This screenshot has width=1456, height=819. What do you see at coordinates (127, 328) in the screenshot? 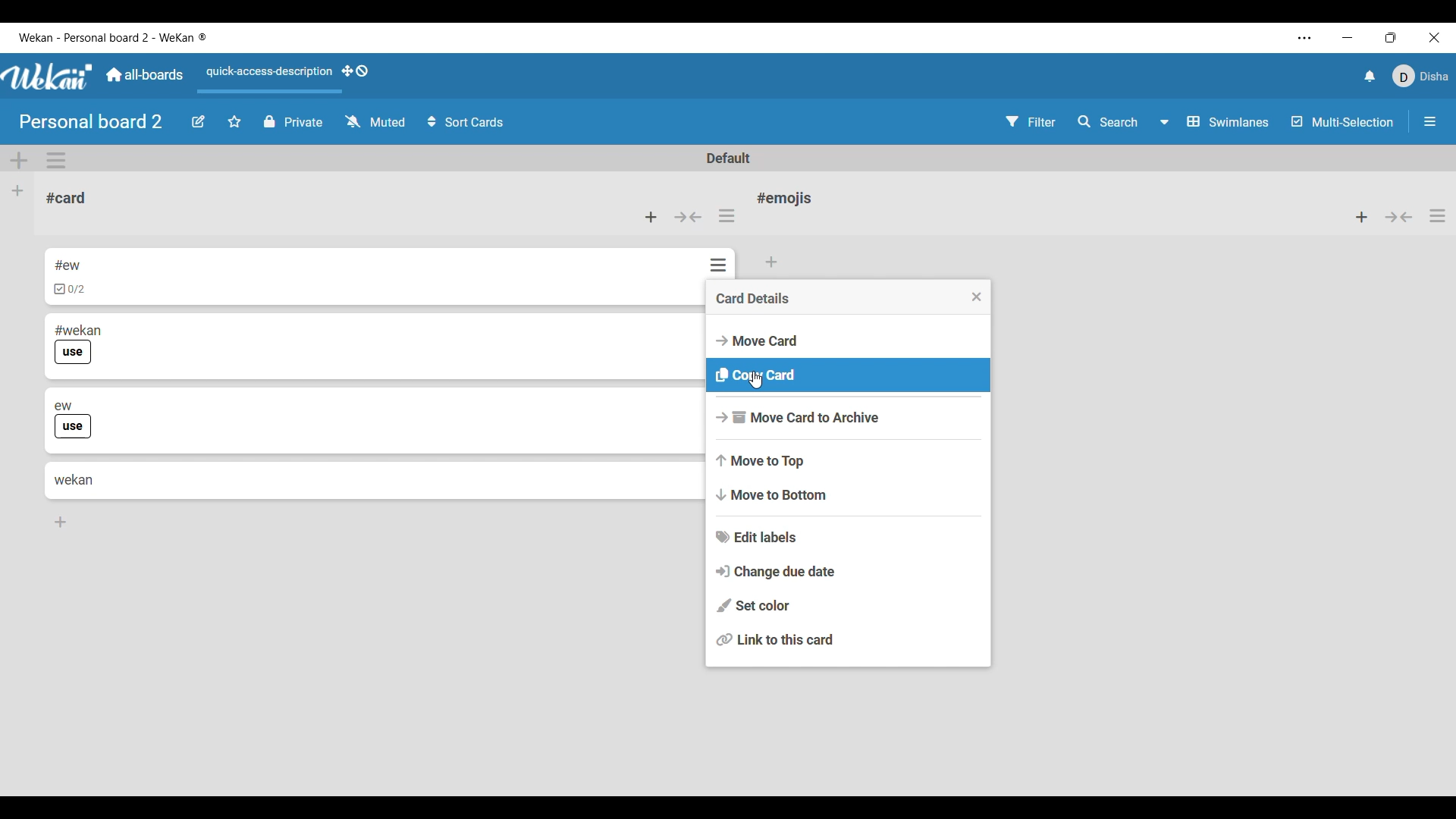
I see `Card 2` at bounding box center [127, 328].